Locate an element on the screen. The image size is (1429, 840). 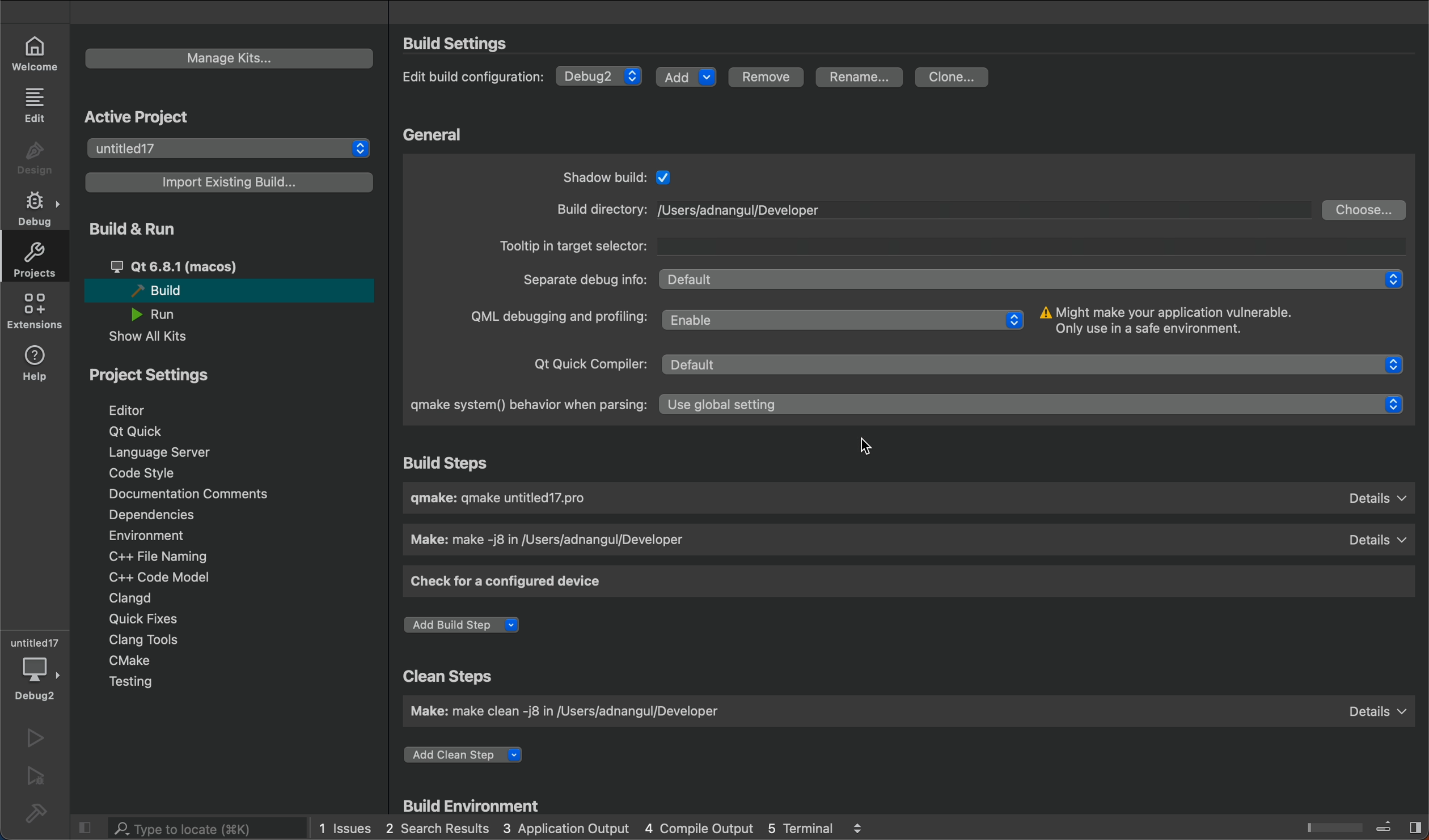
sepertae debug is located at coordinates (585, 282).